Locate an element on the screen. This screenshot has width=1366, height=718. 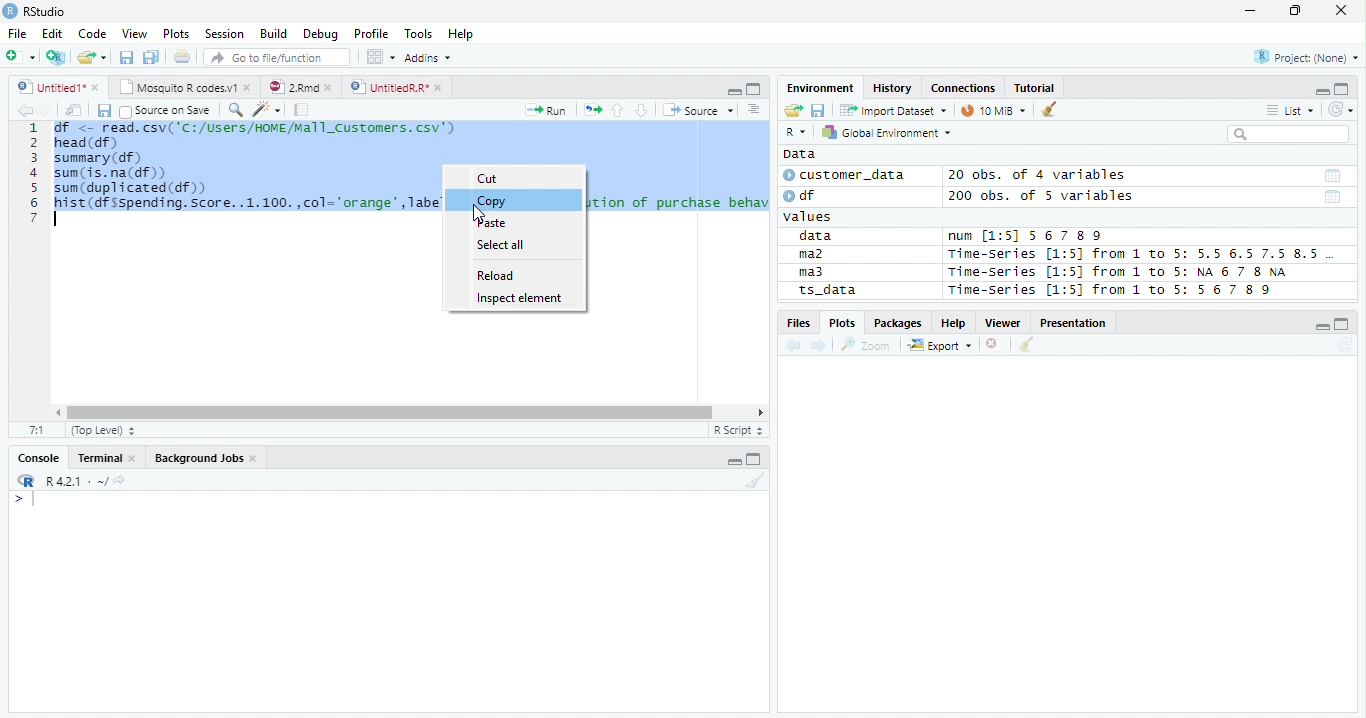
Typing indicator is located at coordinates (33, 500).